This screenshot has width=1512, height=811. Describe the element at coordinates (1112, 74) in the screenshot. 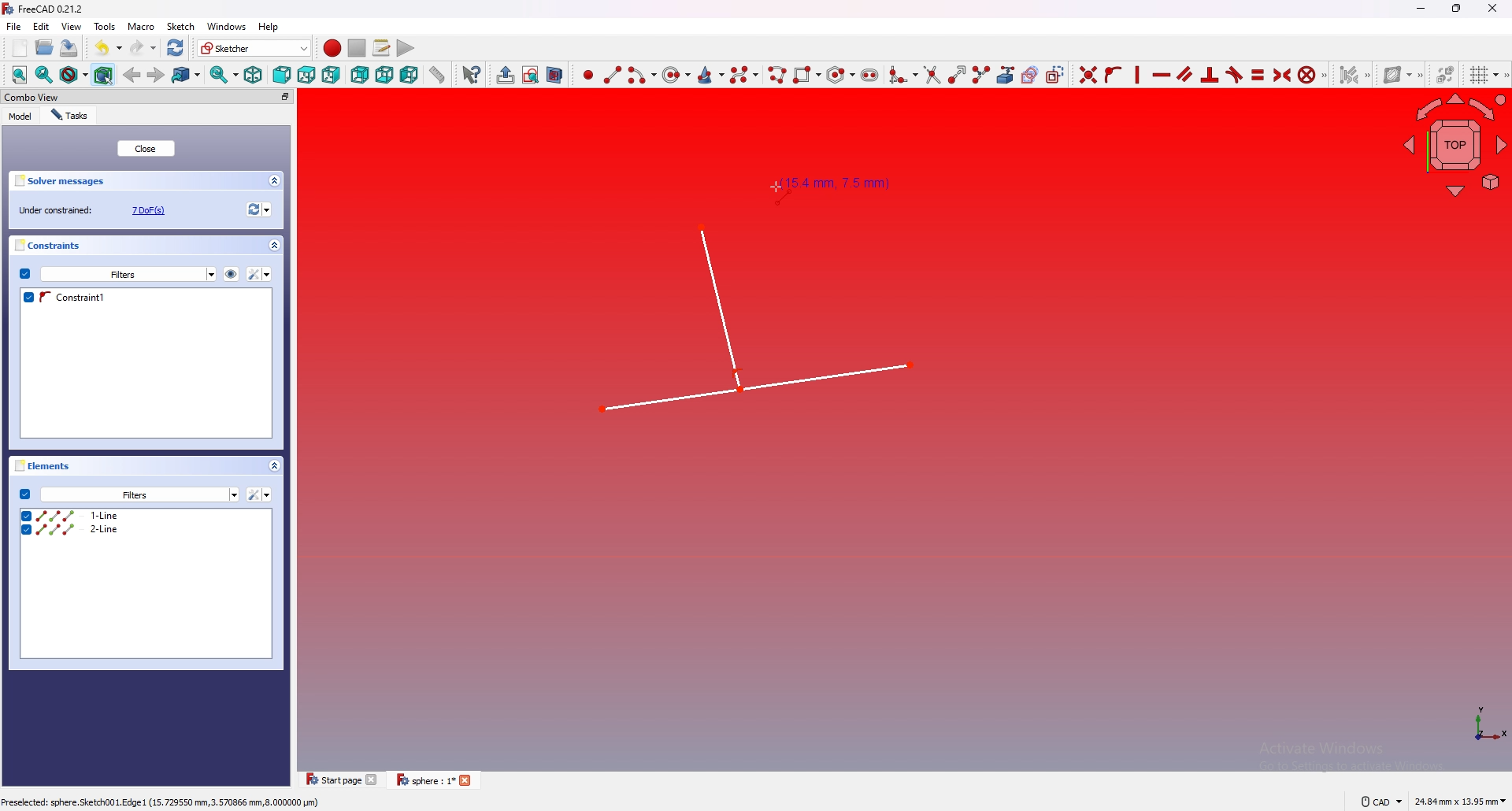

I see `Constrain point onto object` at that location.